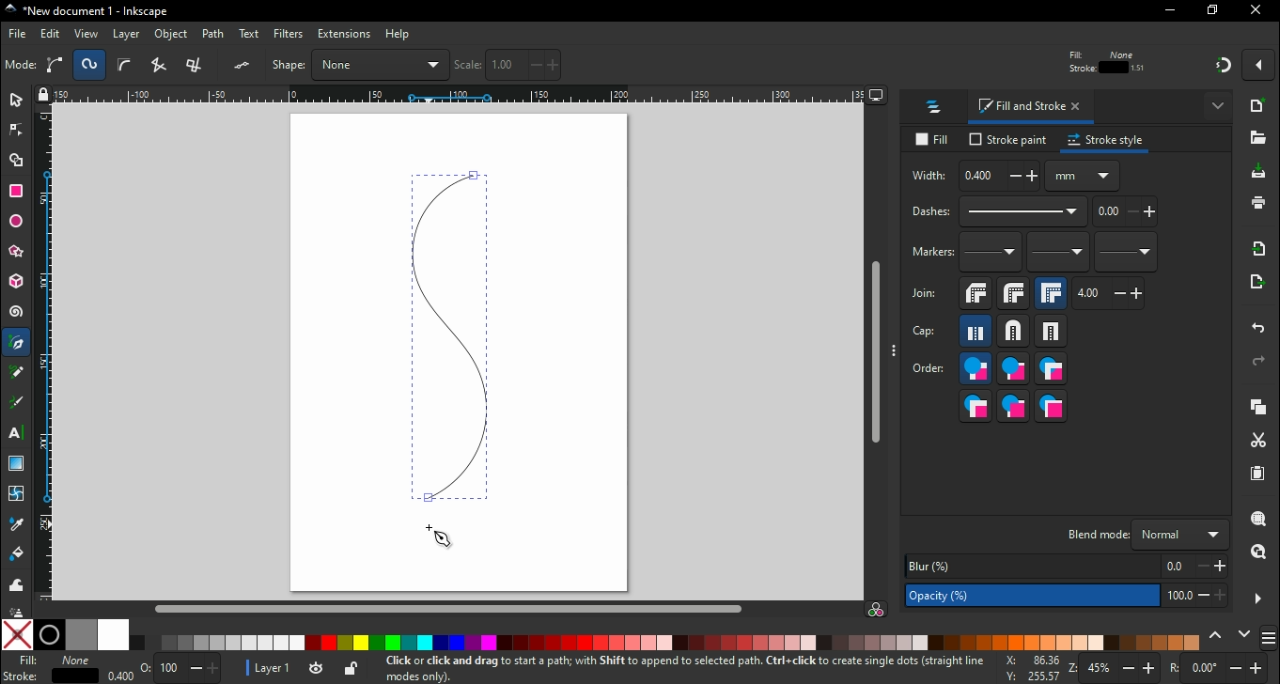  I want to click on opacity, so click(168, 667).